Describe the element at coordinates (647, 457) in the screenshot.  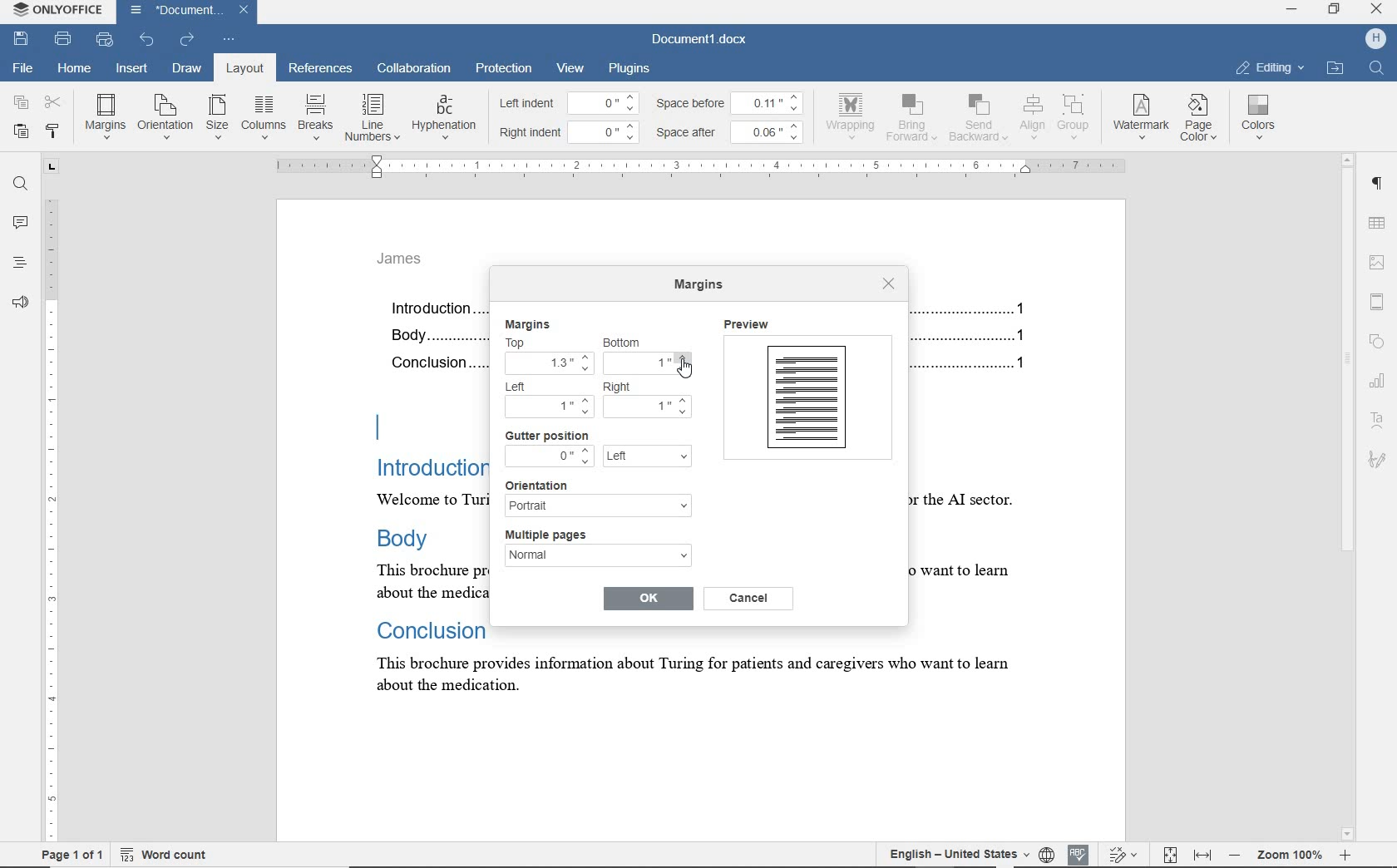
I see `left` at that location.